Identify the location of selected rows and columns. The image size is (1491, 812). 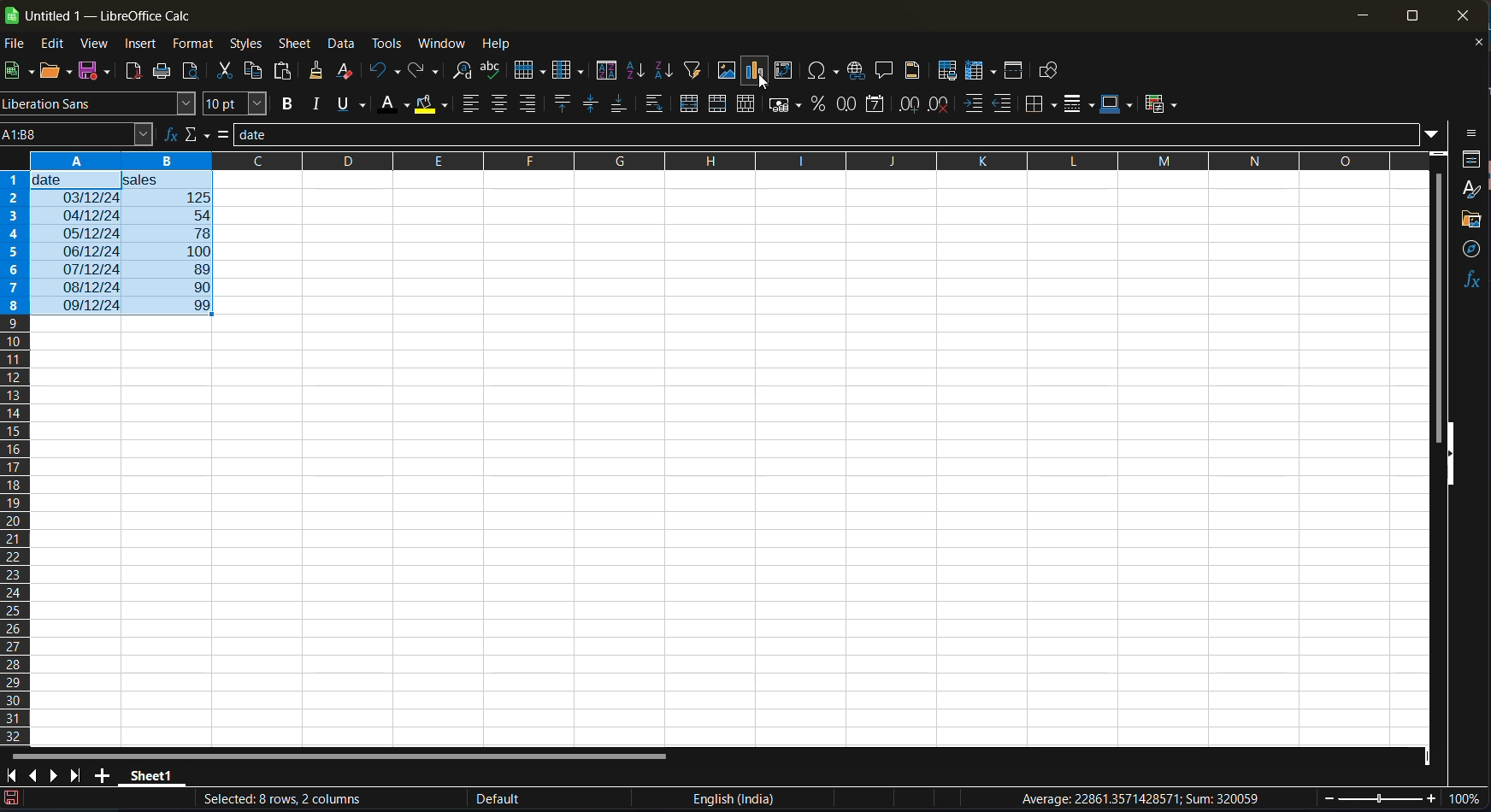
(287, 798).